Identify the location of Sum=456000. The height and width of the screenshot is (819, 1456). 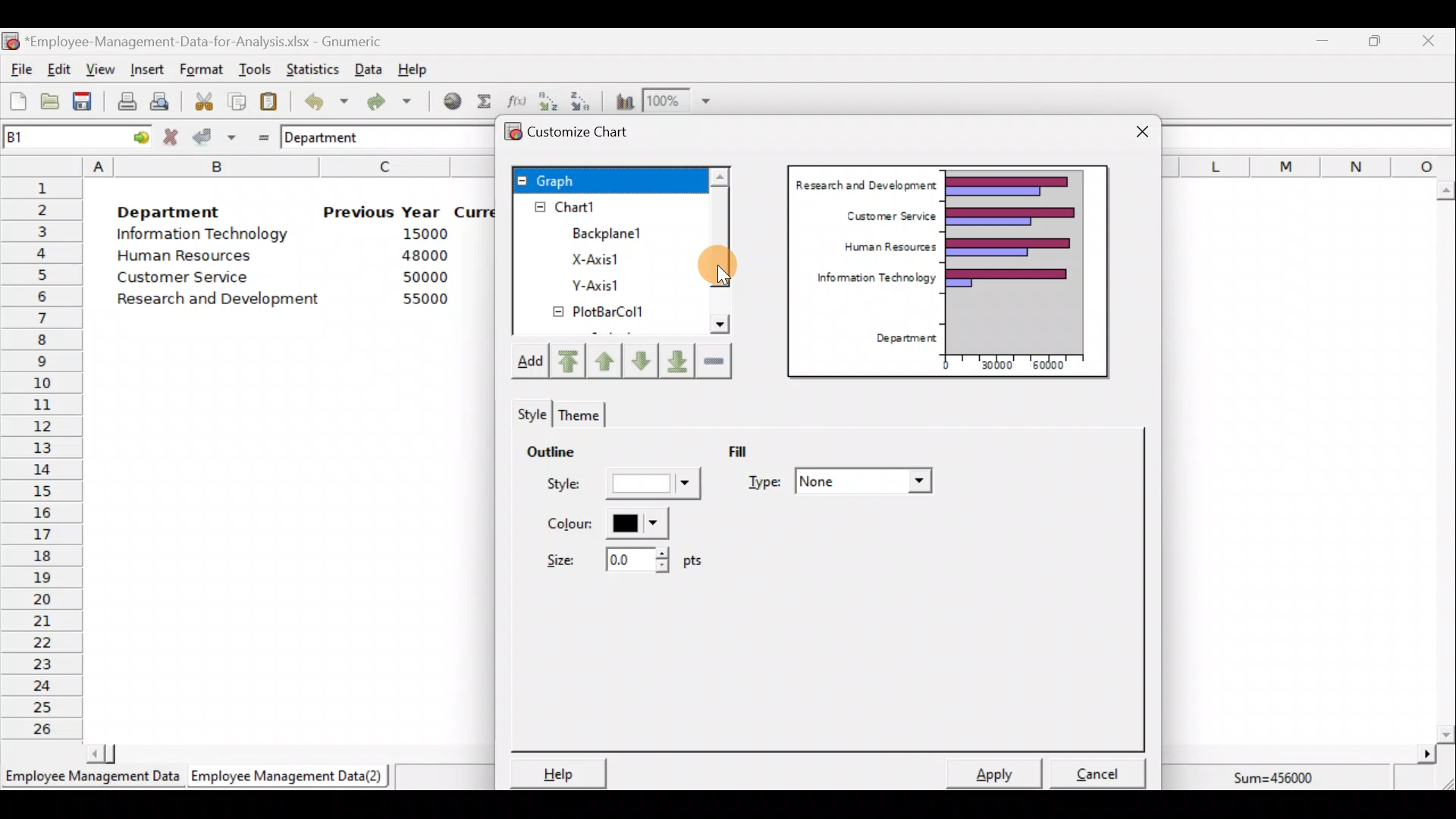
(1282, 780).